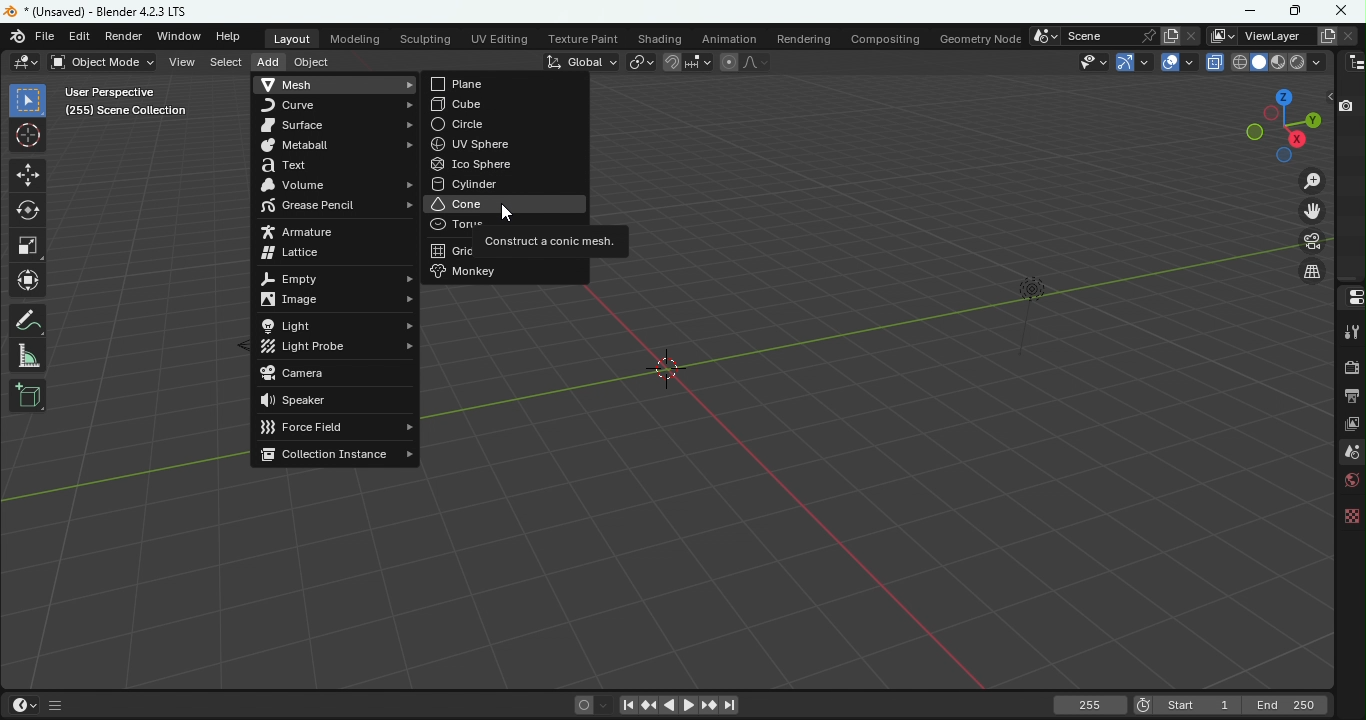 The height and width of the screenshot is (720, 1366). What do you see at coordinates (1092, 706) in the screenshot?
I see `Current frame` at bounding box center [1092, 706].